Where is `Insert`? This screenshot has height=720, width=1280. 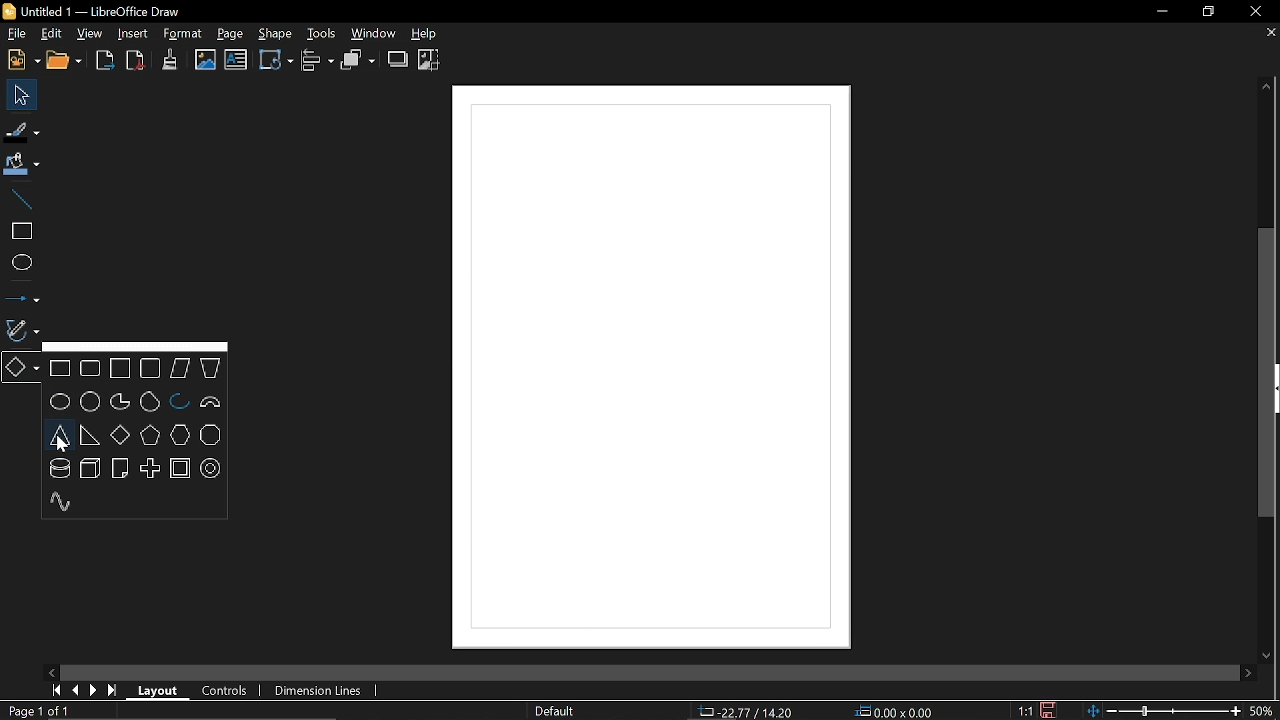 Insert is located at coordinates (133, 34).